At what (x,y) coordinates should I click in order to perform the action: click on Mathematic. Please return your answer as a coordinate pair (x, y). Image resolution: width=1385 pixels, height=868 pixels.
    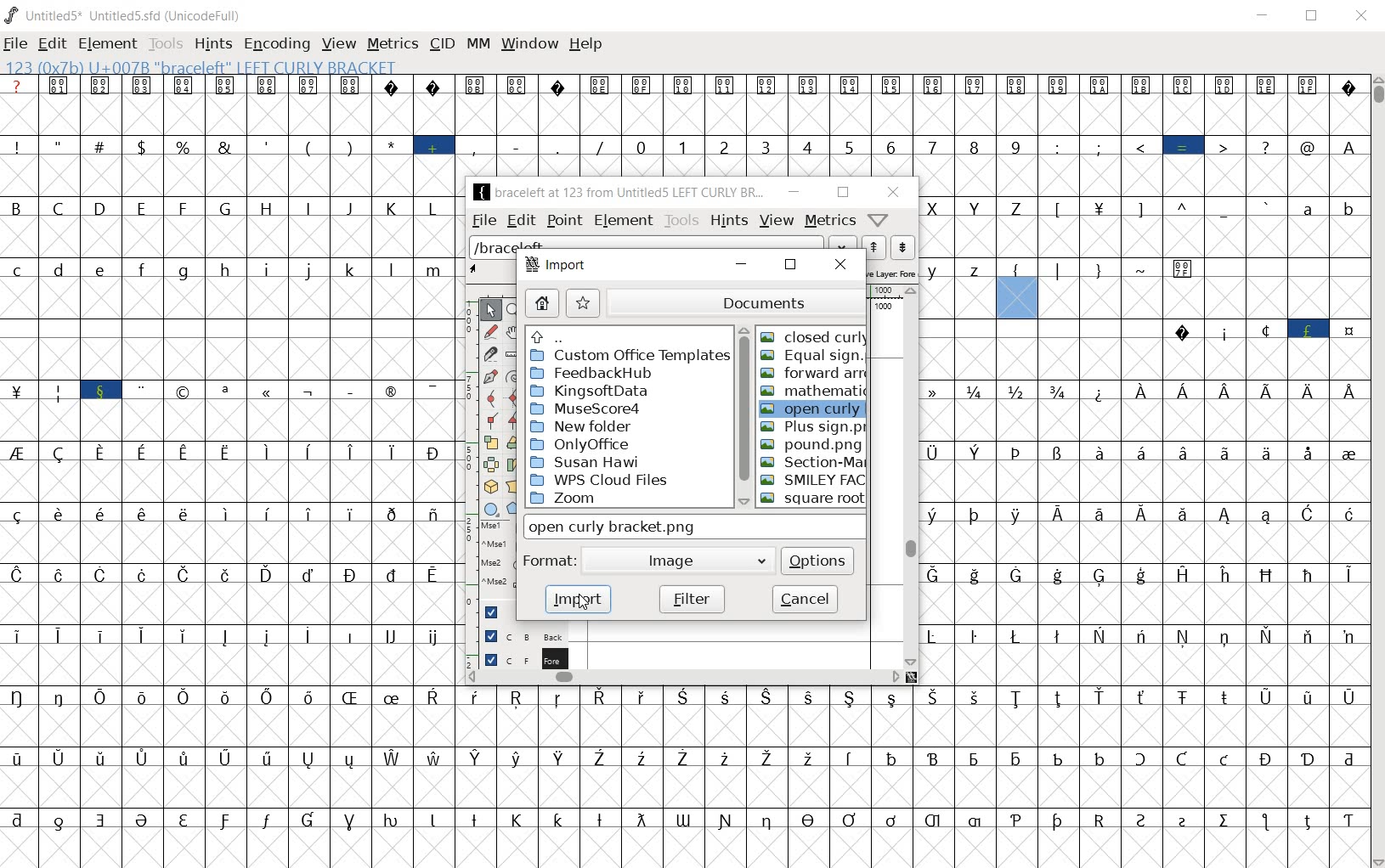
    Looking at the image, I should click on (814, 389).